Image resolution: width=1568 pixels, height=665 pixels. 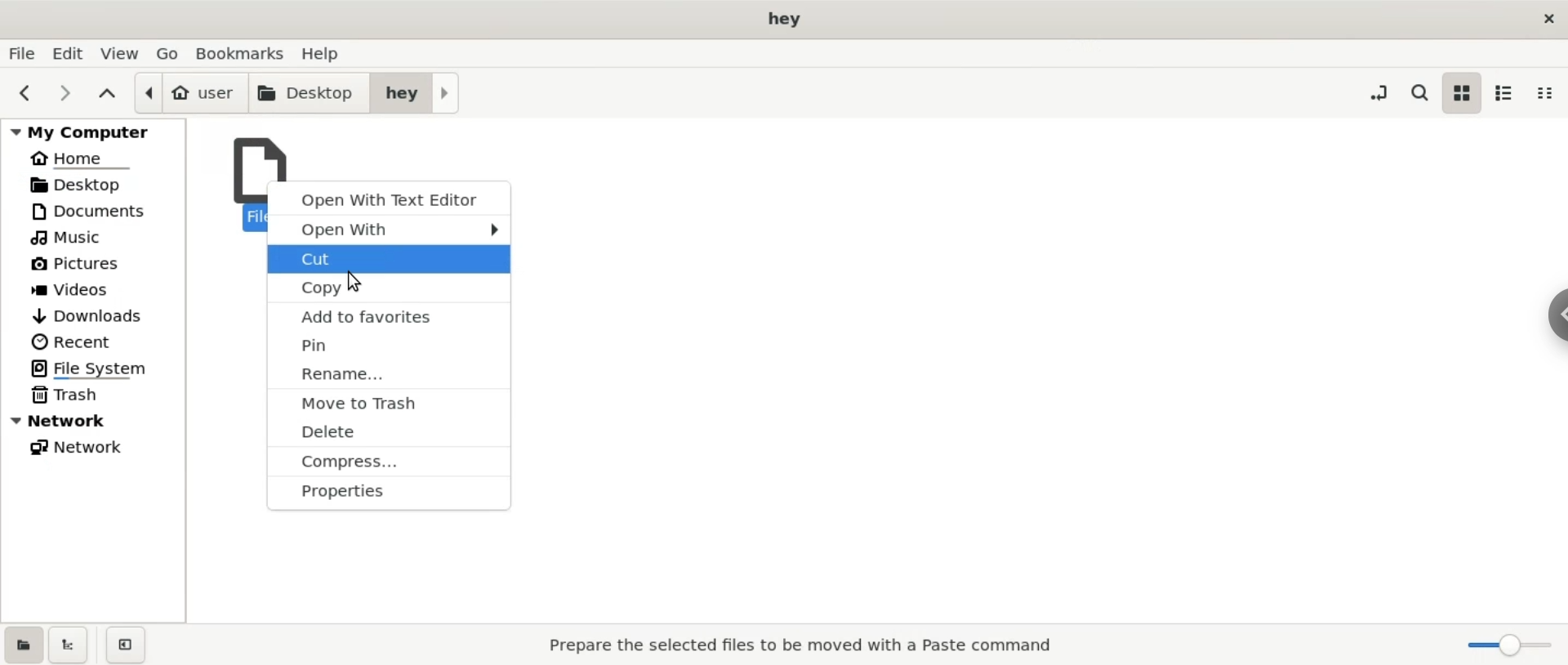 What do you see at coordinates (1501, 645) in the screenshot?
I see `zoom` at bounding box center [1501, 645].